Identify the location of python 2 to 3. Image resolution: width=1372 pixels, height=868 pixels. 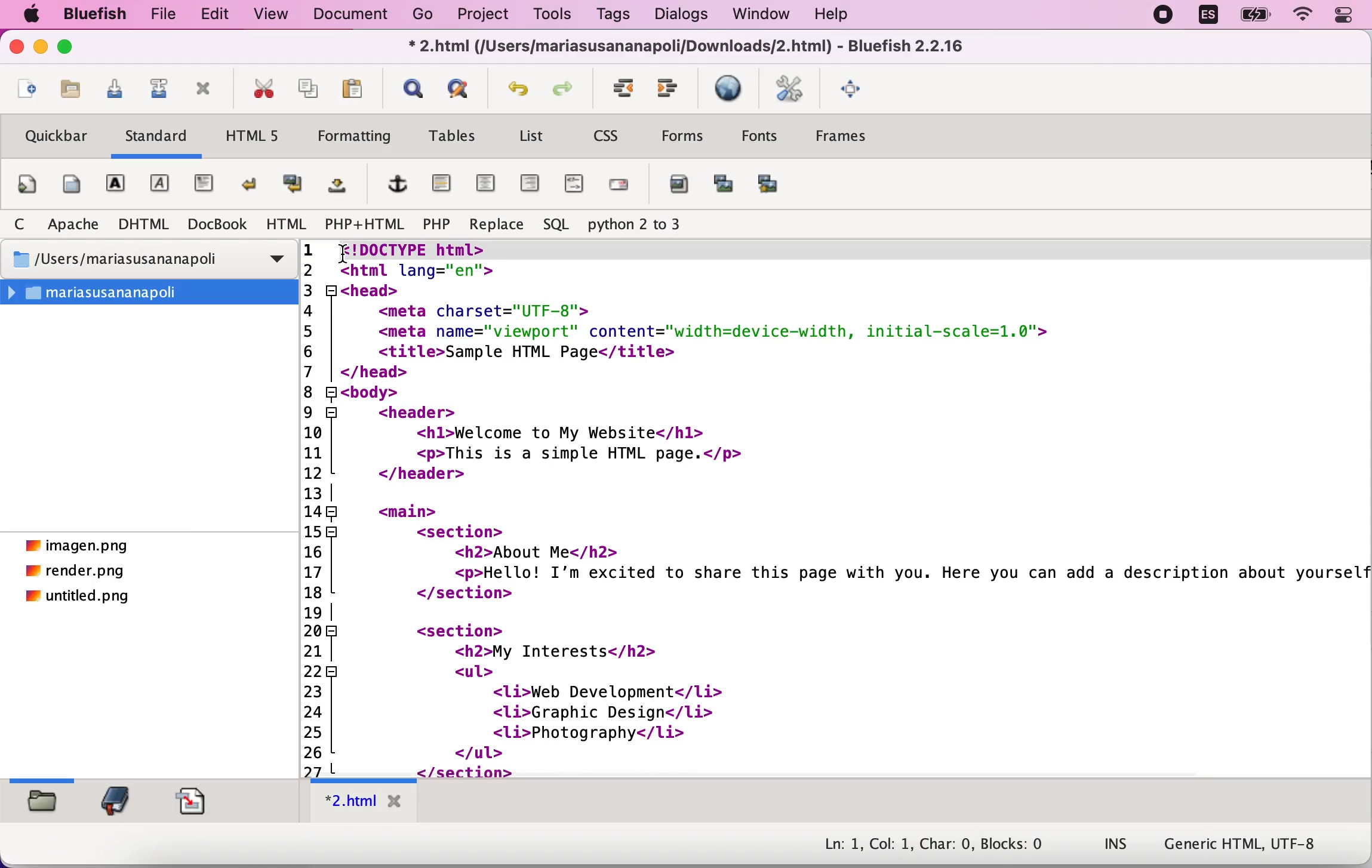
(647, 225).